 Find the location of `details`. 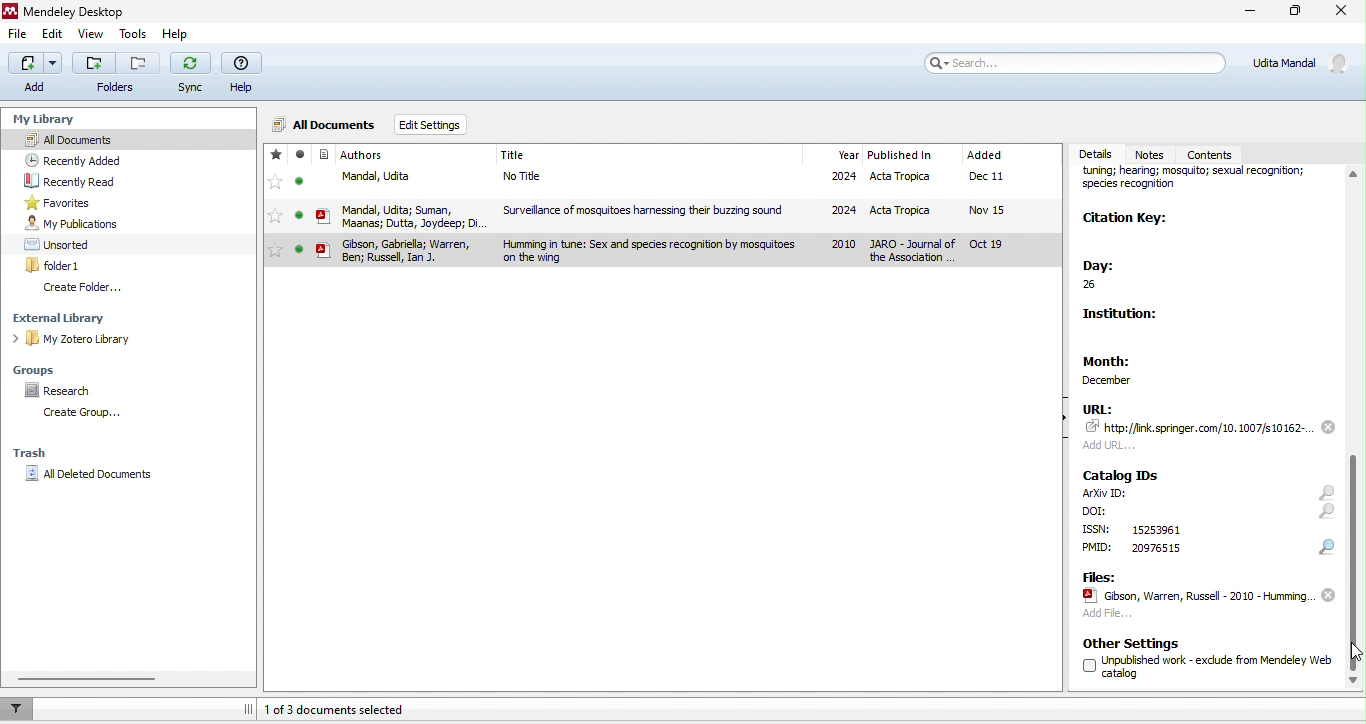

details is located at coordinates (1095, 153).